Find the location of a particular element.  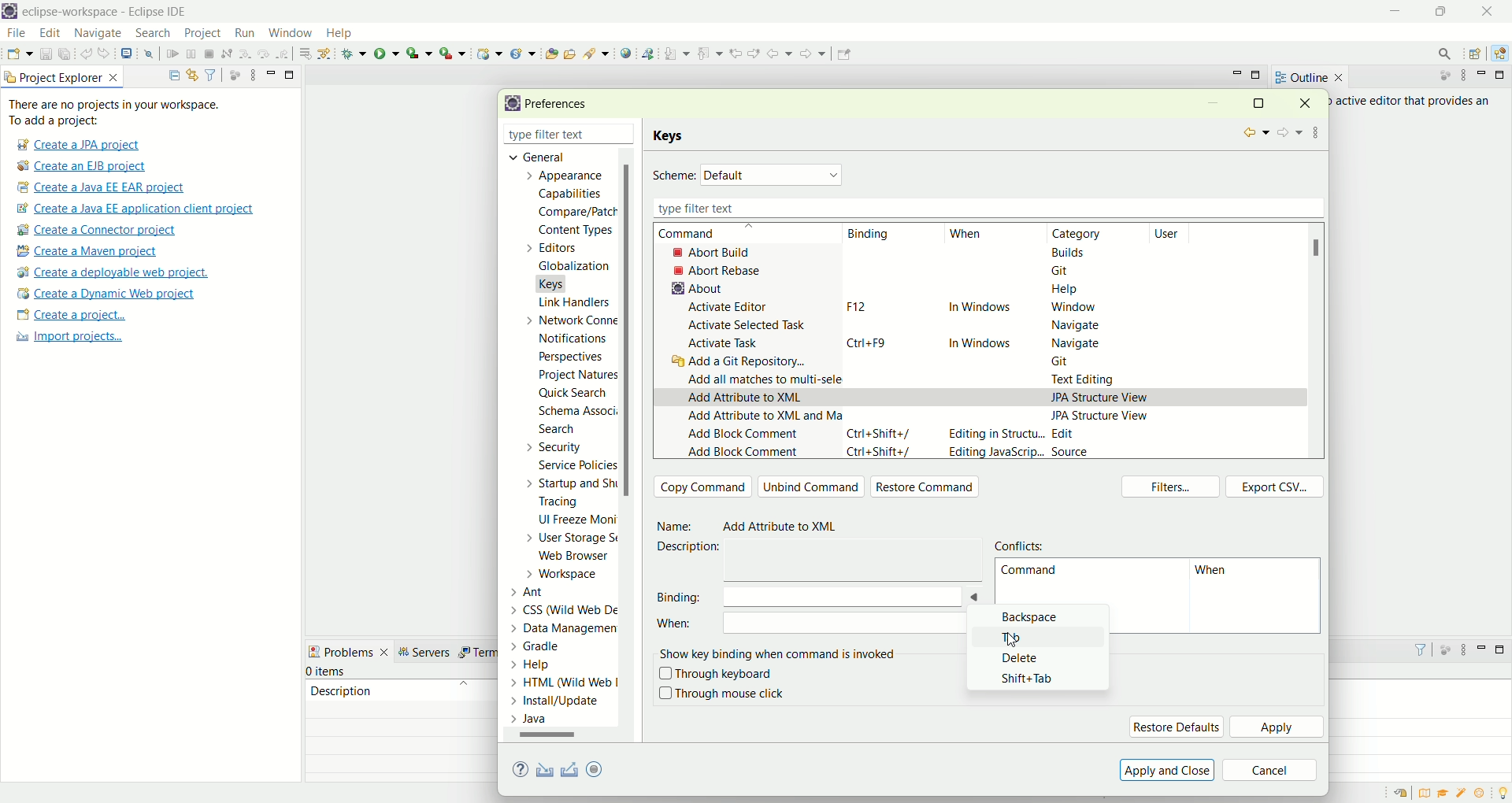

preferences is located at coordinates (561, 105).